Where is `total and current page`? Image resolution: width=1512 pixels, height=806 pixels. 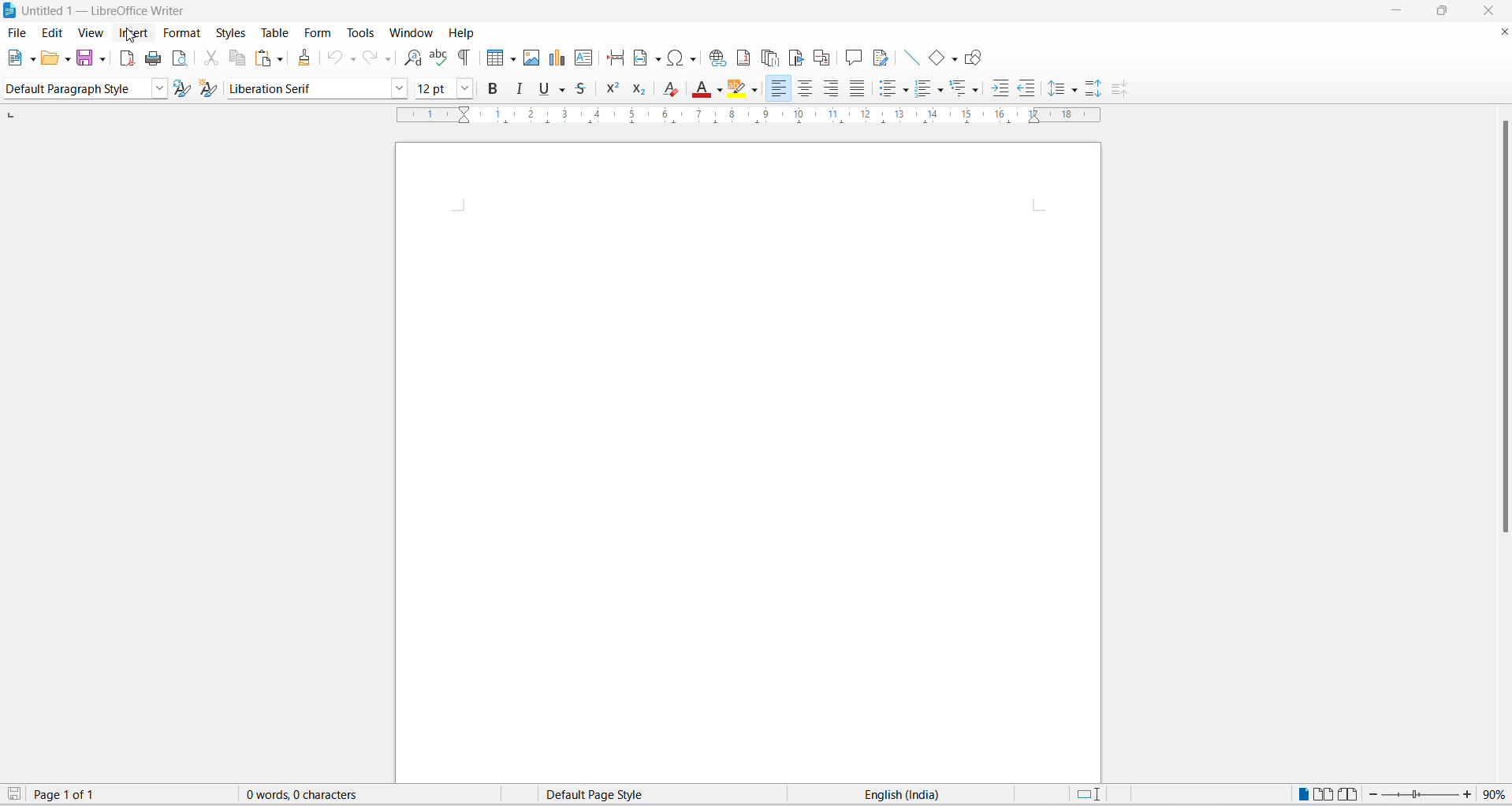
total and current page is located at coordinates (76, 796).